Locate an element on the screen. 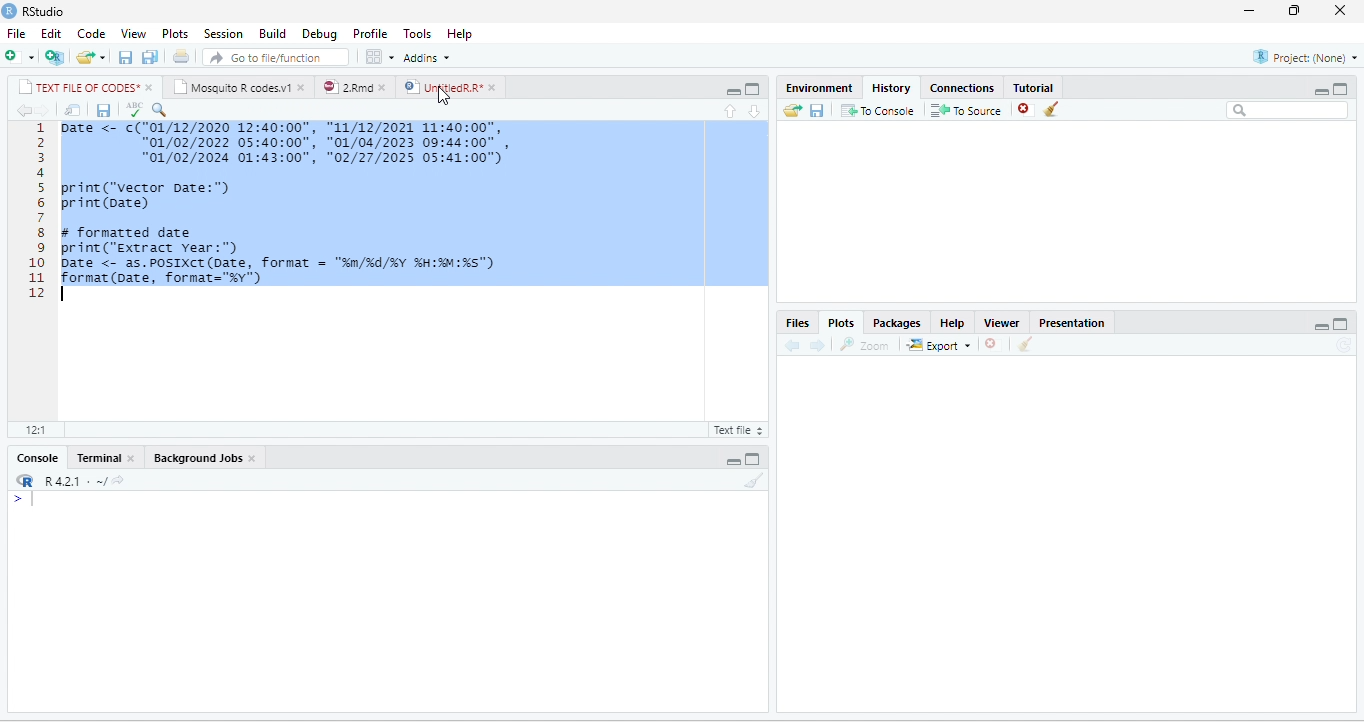 The image size is (1364, 722). Zoom is located at coordinates (864, 344).